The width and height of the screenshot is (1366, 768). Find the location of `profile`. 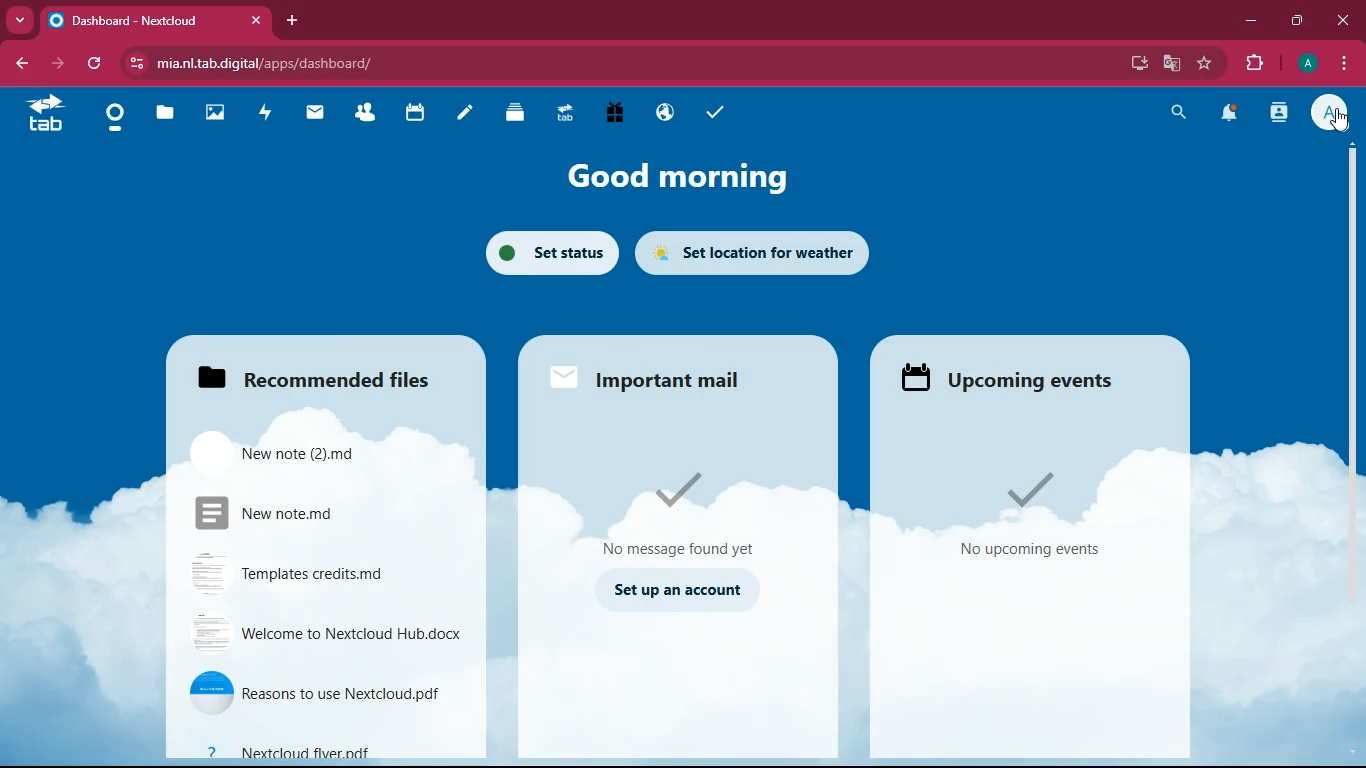

profile is located at coordinates (1333, 114).